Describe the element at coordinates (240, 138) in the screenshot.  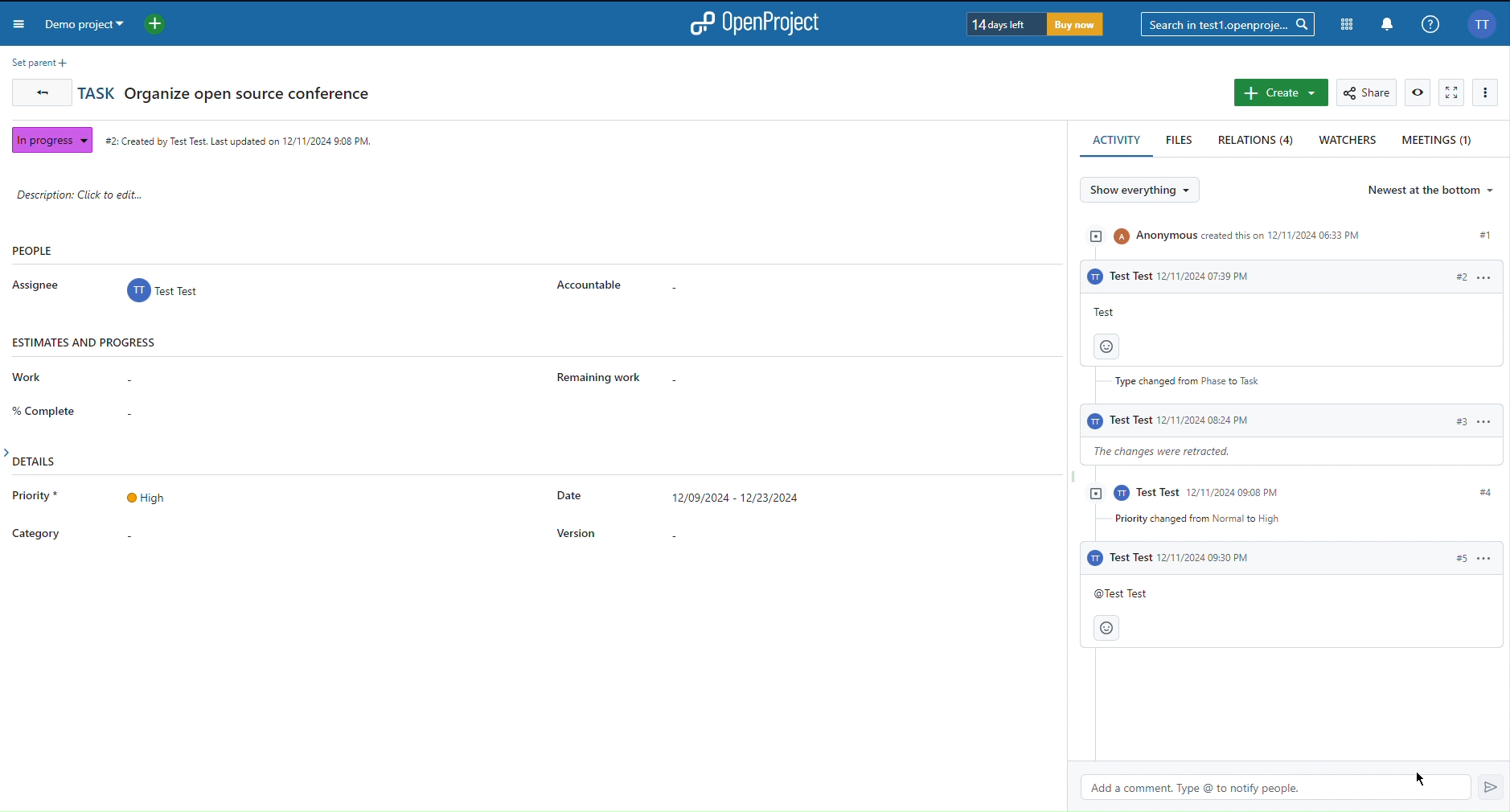
I see `Created date` at that location.